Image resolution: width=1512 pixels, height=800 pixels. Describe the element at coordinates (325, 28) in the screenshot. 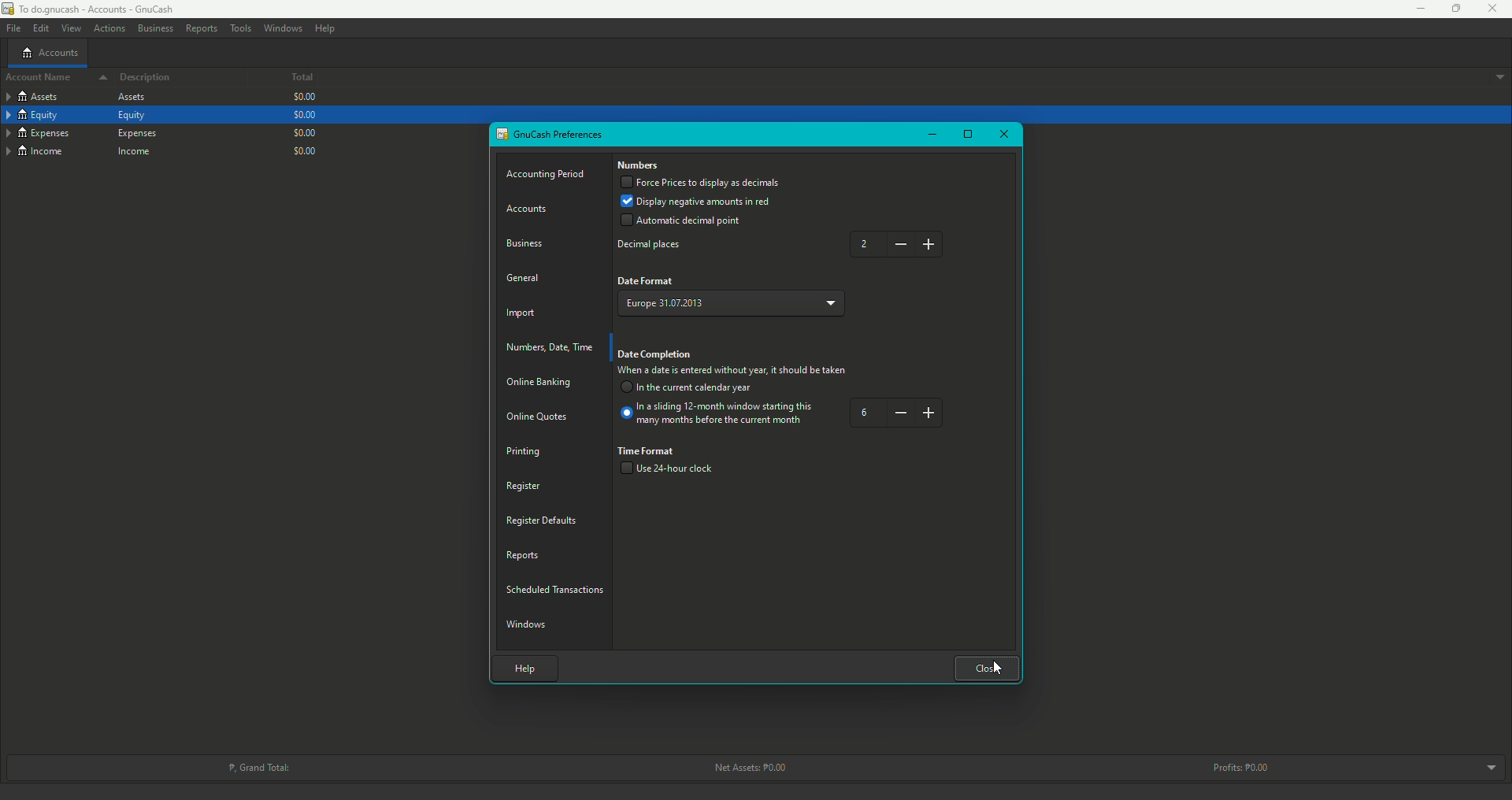

I see `Help` at that location.